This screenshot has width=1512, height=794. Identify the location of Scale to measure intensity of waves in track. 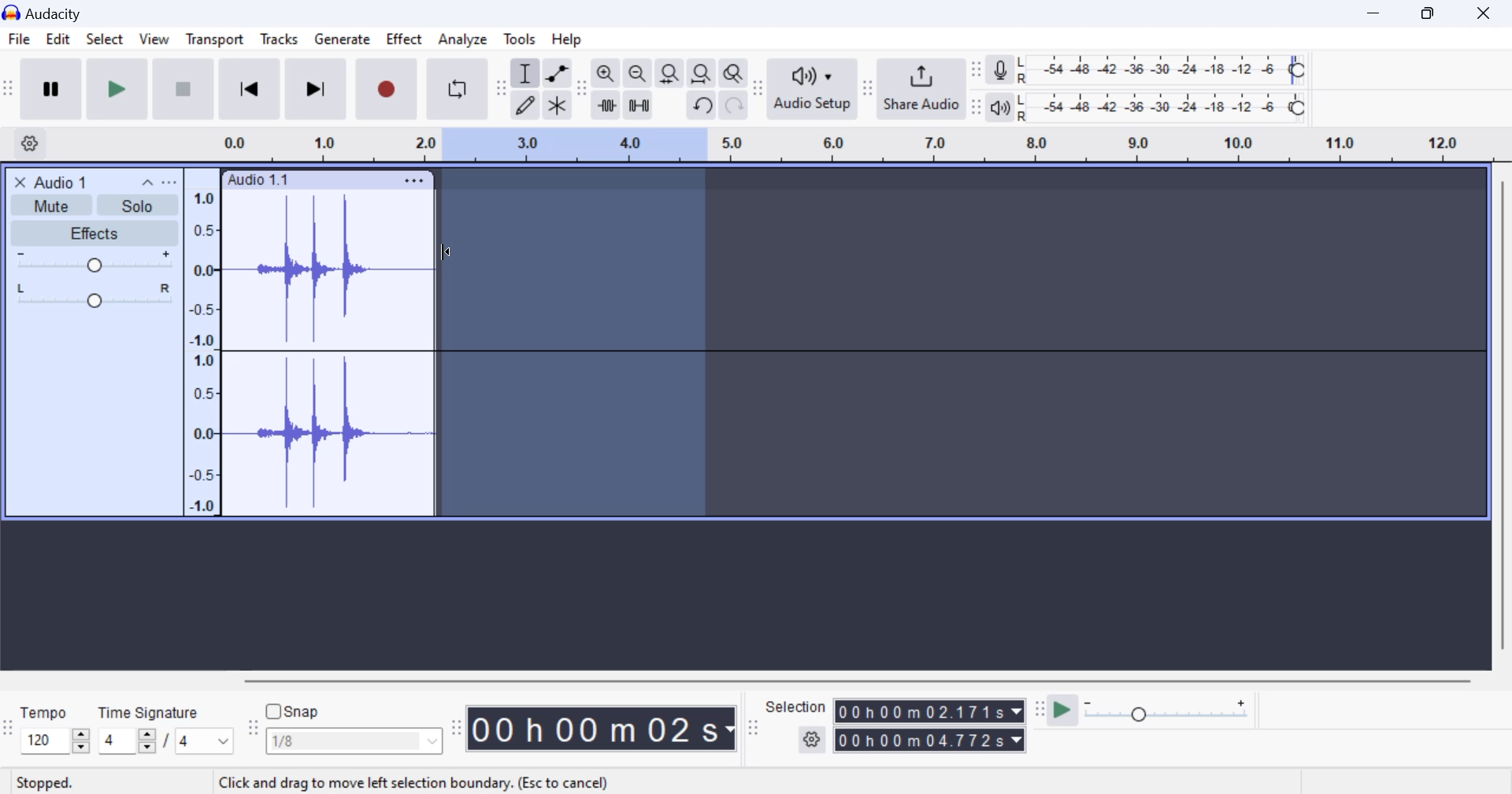
(201, 349).